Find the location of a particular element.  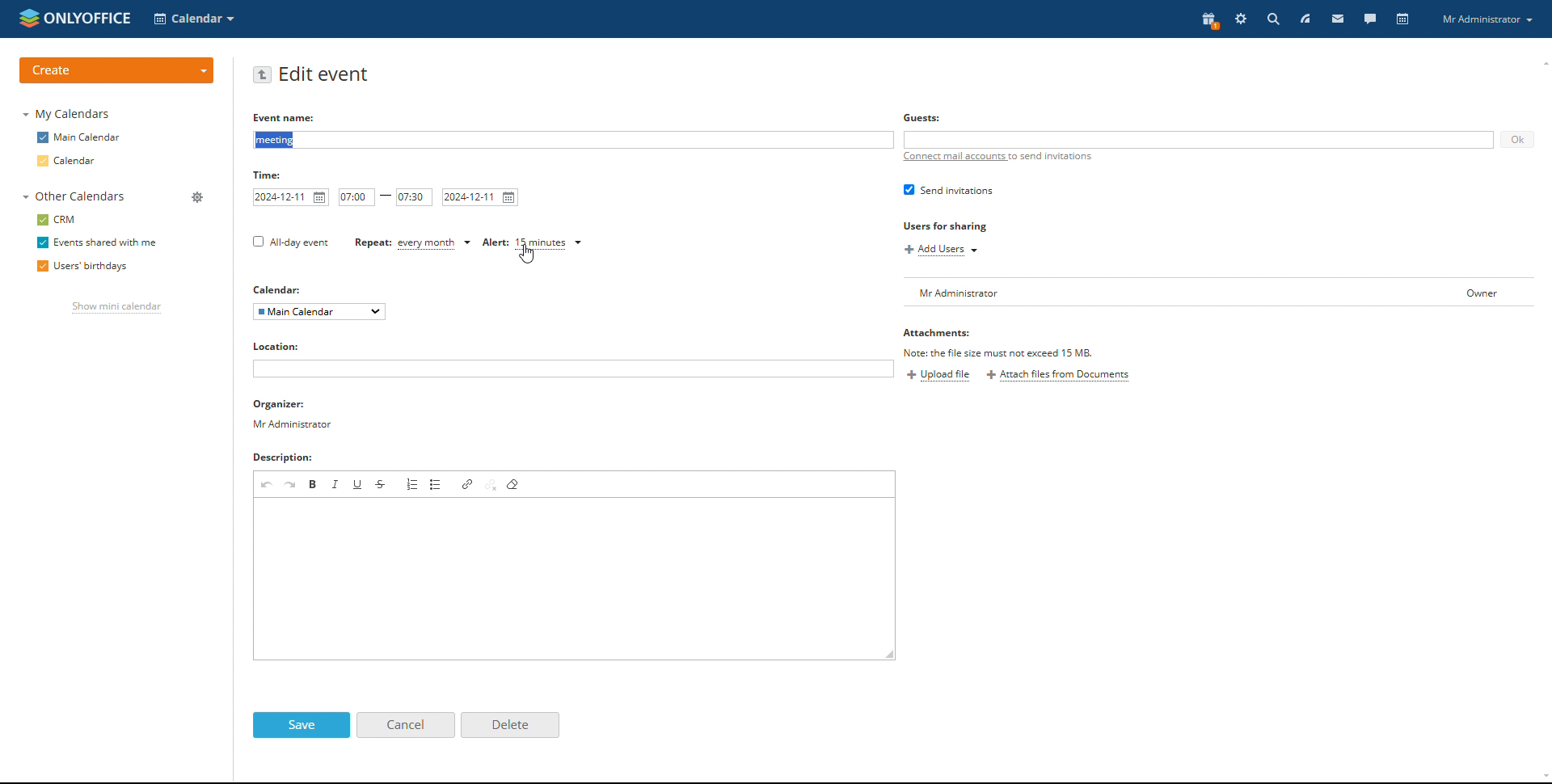

remove format is located at coordinates (514, 484).